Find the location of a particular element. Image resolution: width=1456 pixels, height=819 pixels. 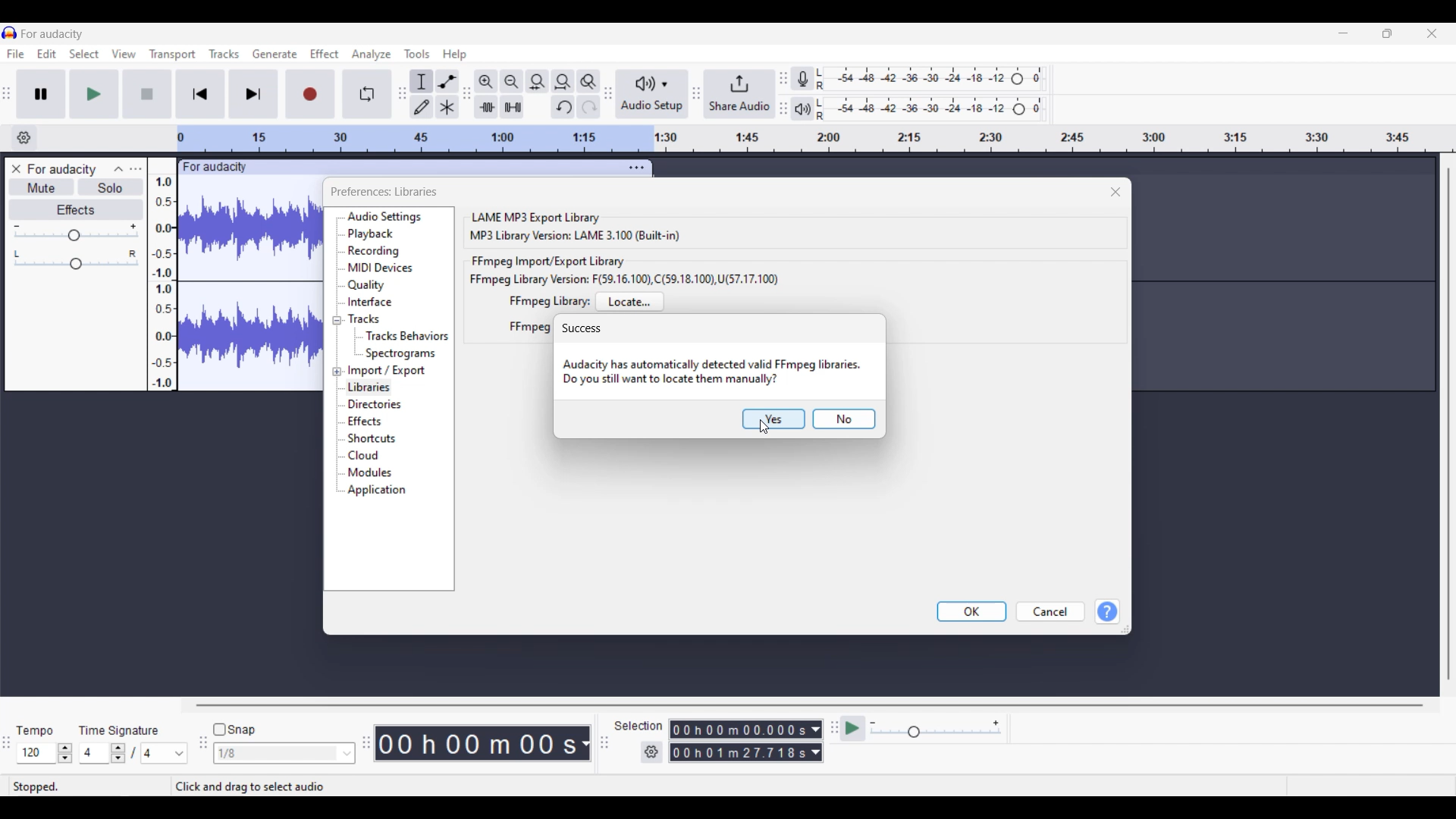

Undo is located at coordinates (563, 107).